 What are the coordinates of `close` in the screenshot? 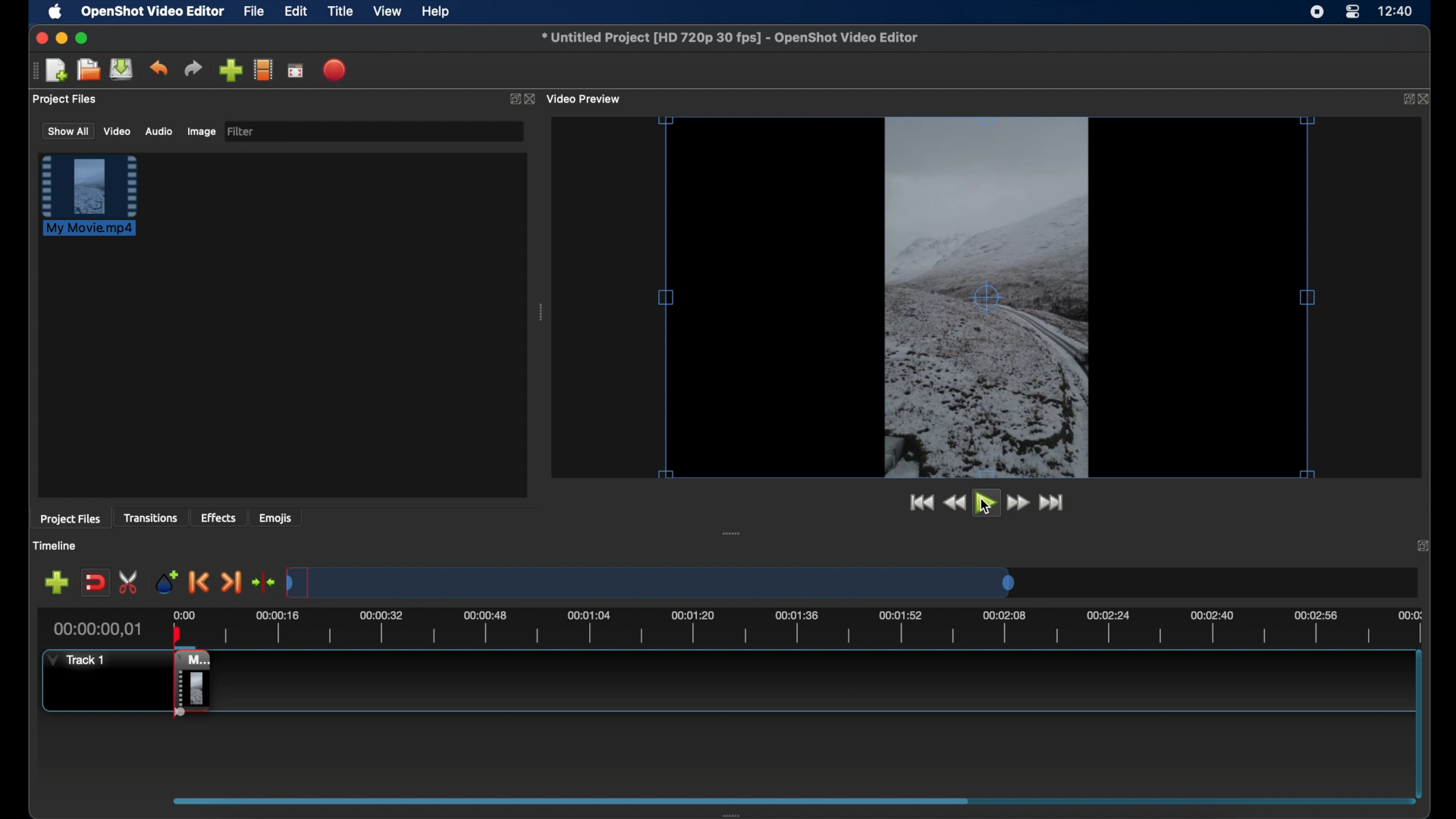 It's located at (530, 99).